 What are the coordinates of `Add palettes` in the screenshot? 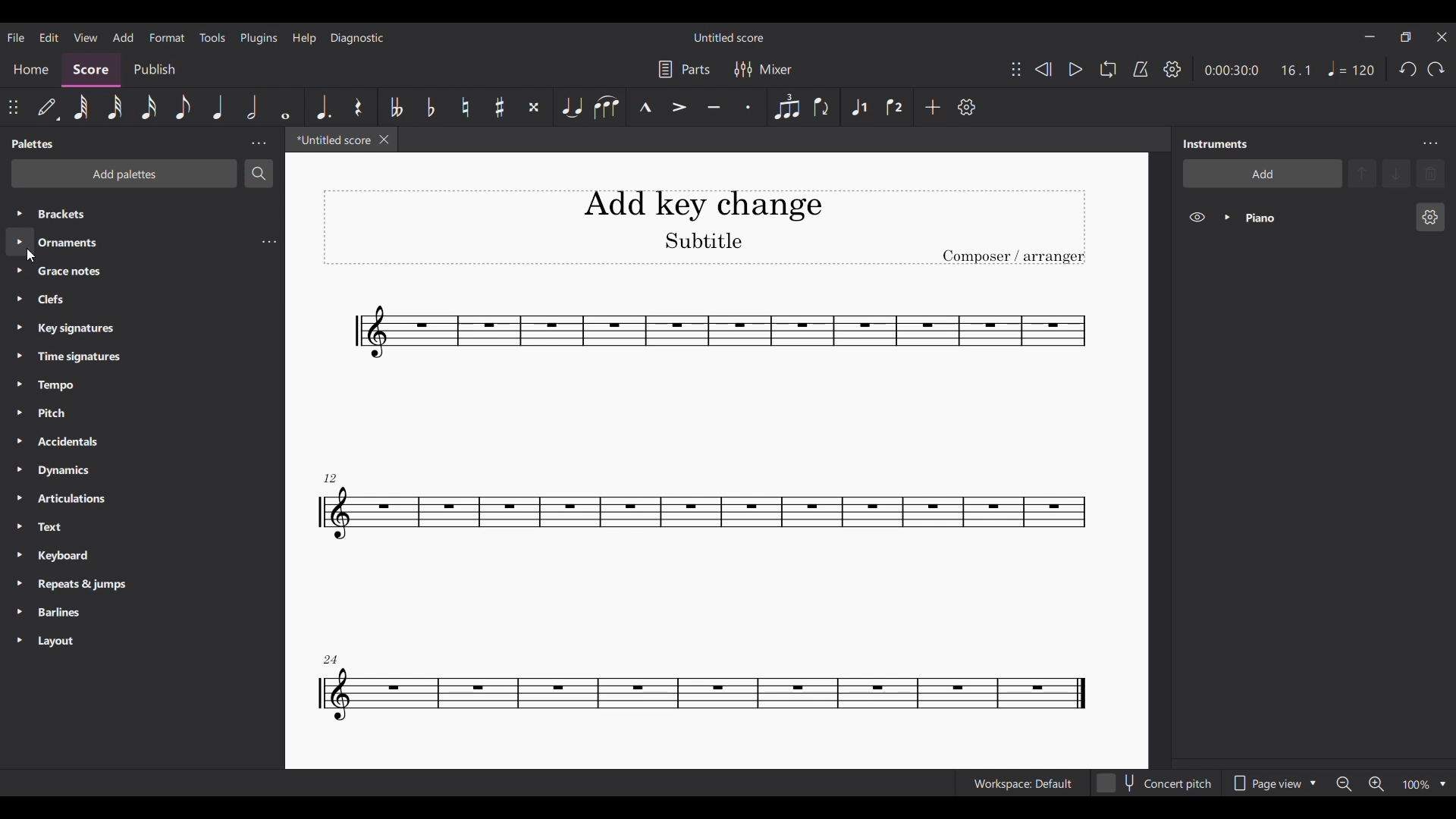 It's located at (124, 174).